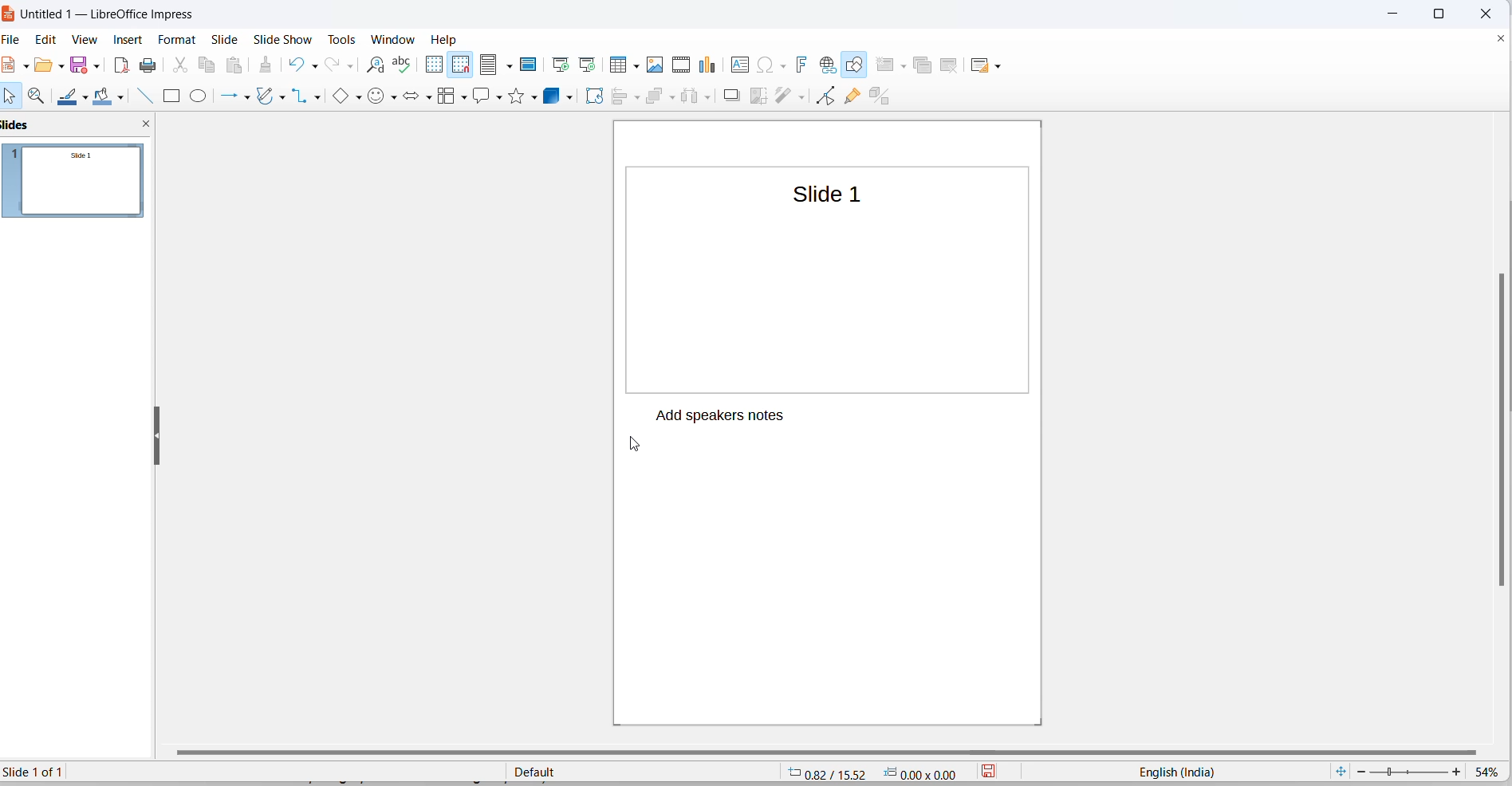 The height and width of the screenshot is (786, 1512). What do you see at coordinates (747, 415) in the screenshot?
I see `Add speakers notes` at bounding box center [747, 415].